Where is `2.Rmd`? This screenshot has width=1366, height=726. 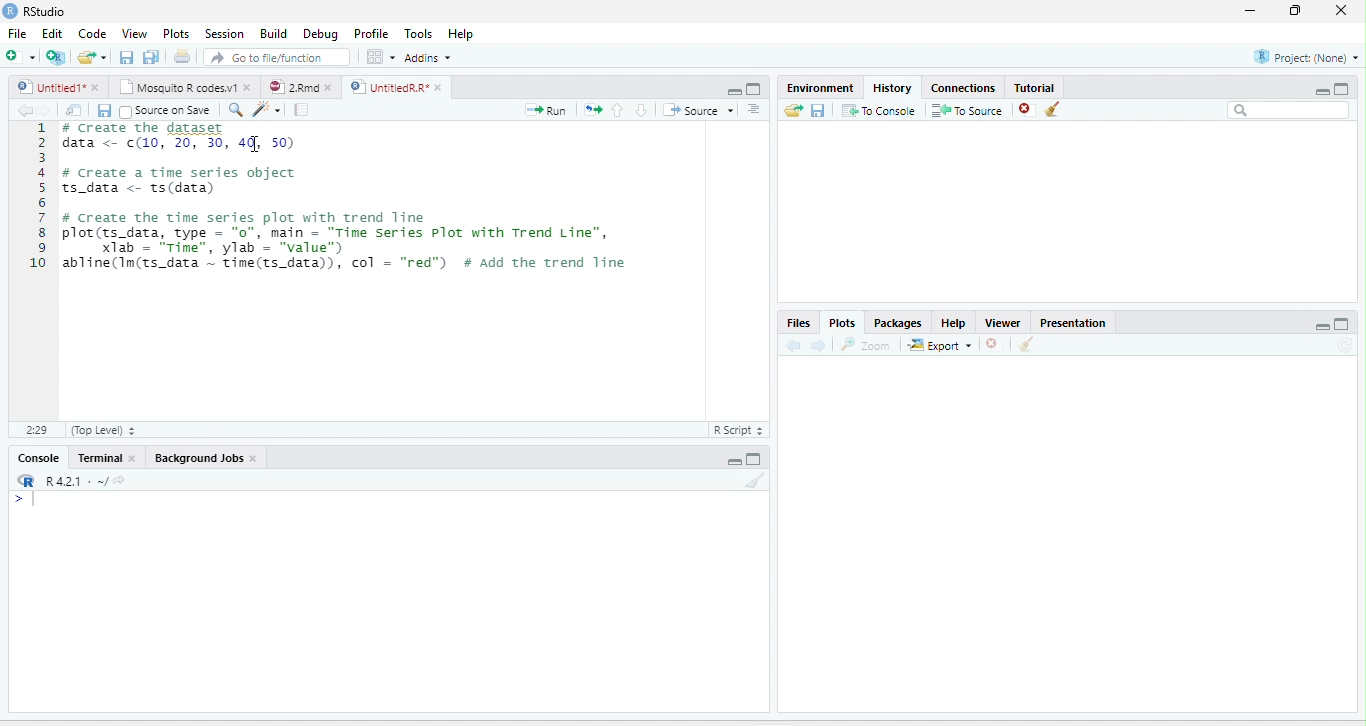 2.Rmd is located at coordinates (291, 87).